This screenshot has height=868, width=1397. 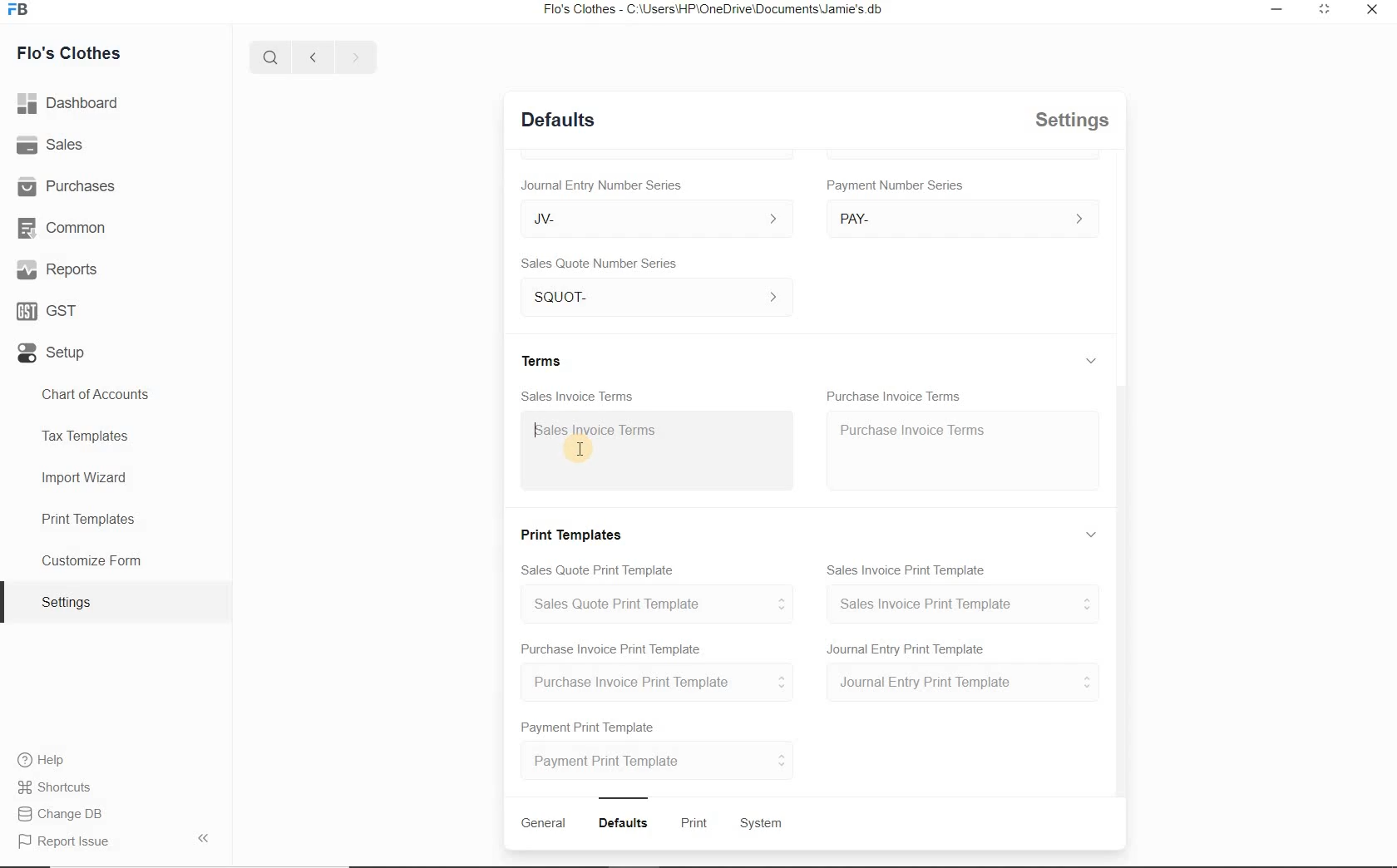 I want to click on Change DB, so click(x=62, y=816).